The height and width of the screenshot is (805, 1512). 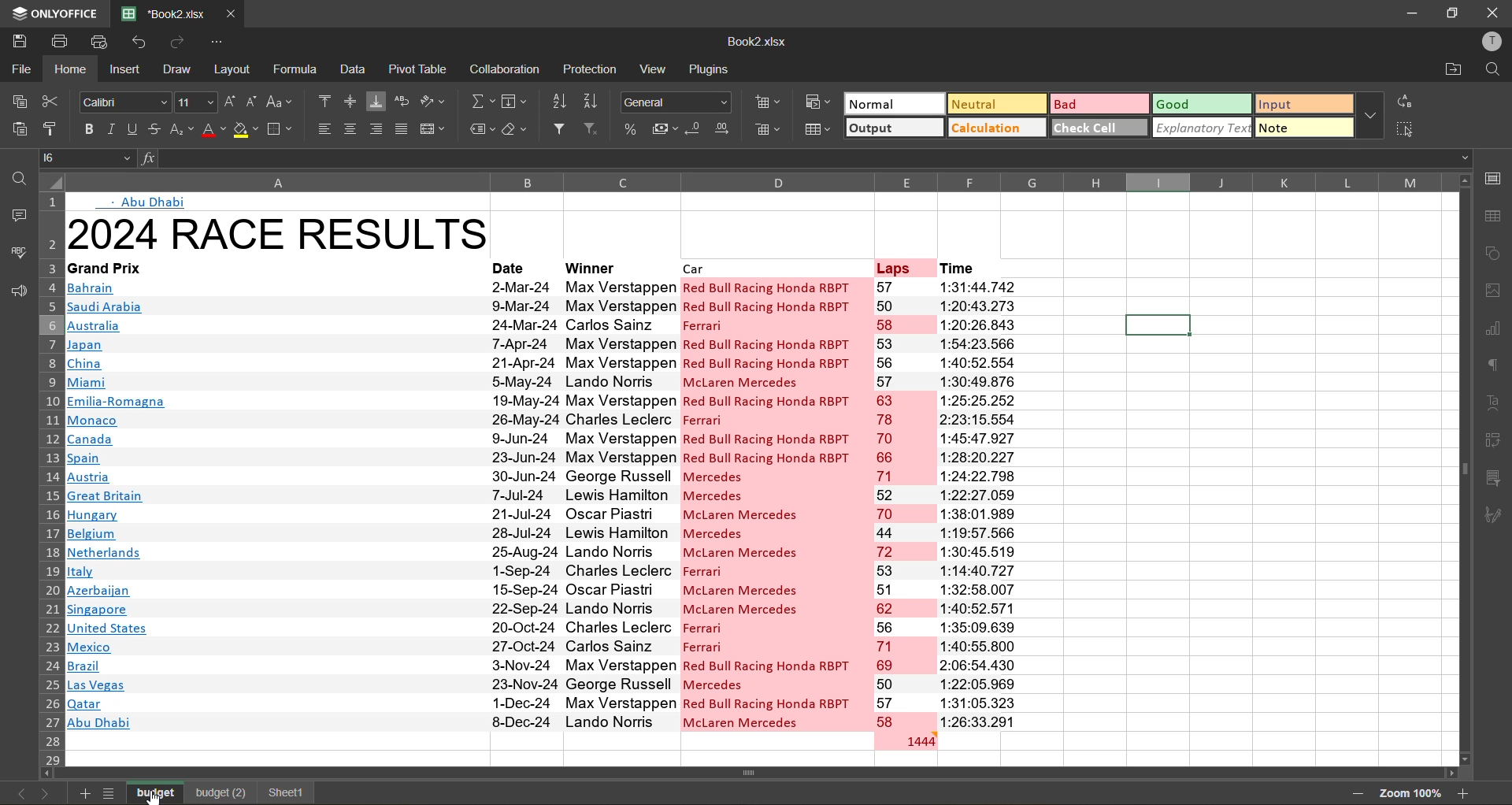 What do you see at coordinates (247, 133) in the screenshot?
I see `fill color` at bounding box center [247, 133].